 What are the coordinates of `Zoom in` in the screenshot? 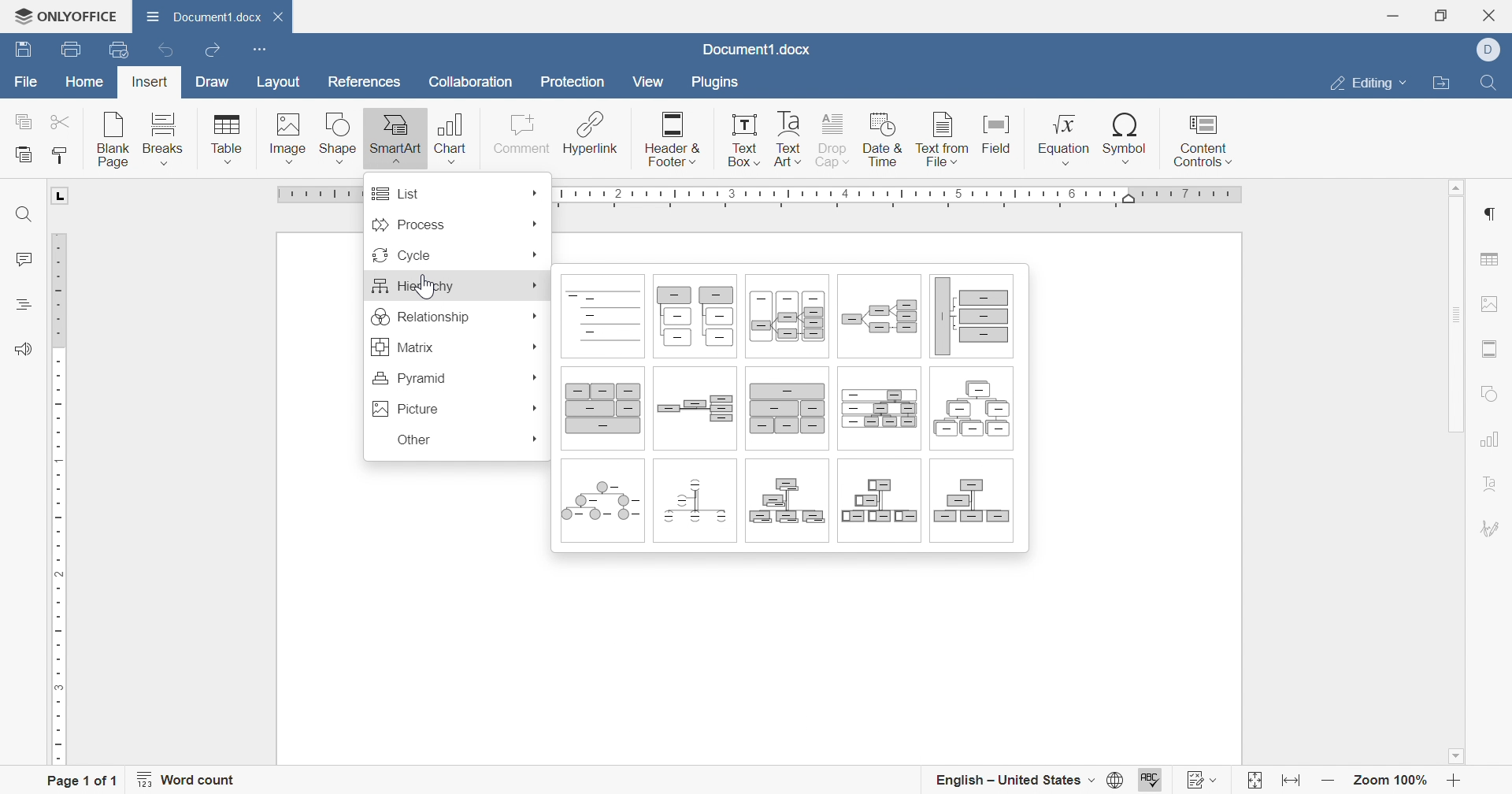 It's located at (1454, 781).